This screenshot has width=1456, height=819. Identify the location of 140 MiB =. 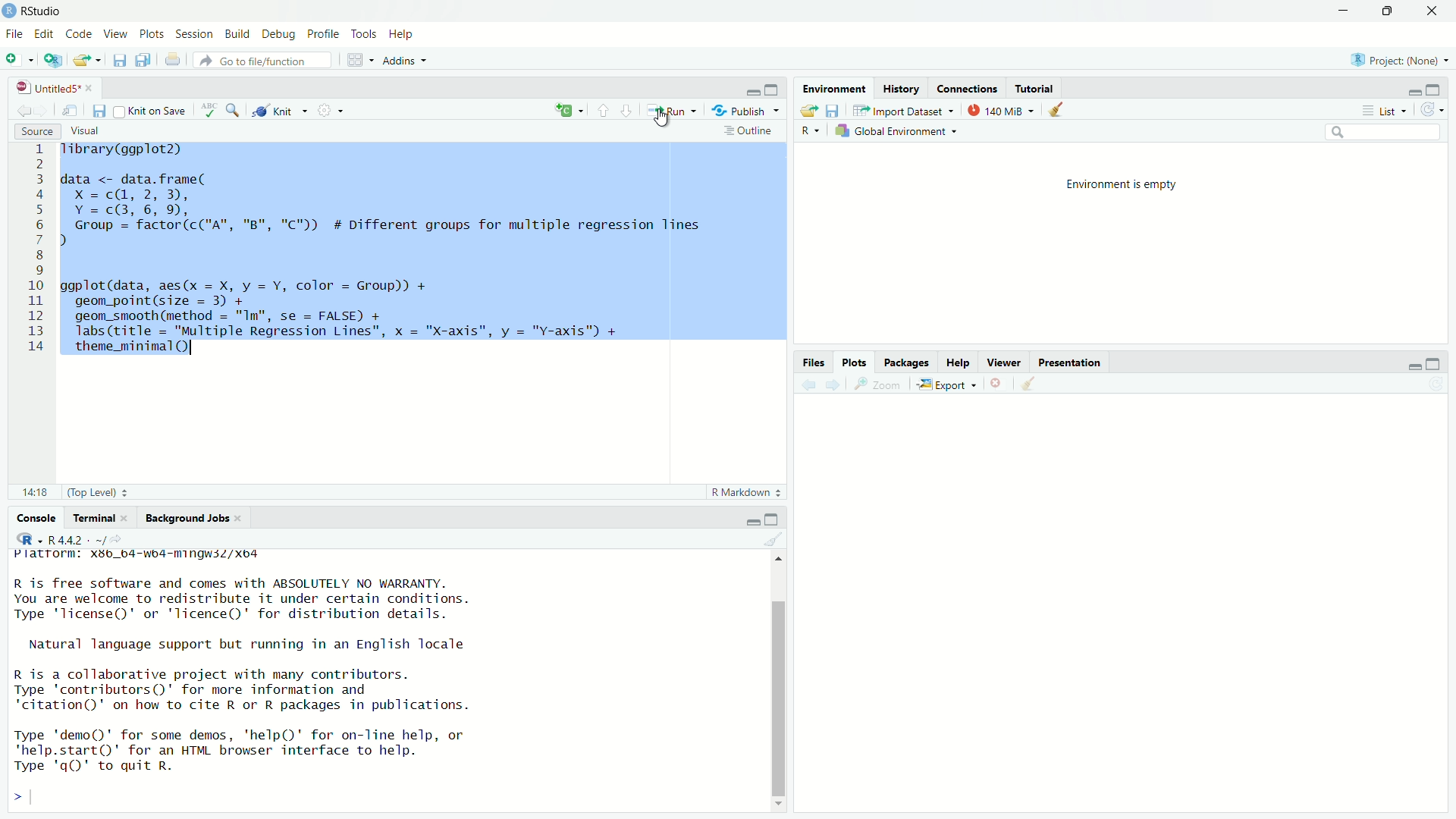
(999, 110).